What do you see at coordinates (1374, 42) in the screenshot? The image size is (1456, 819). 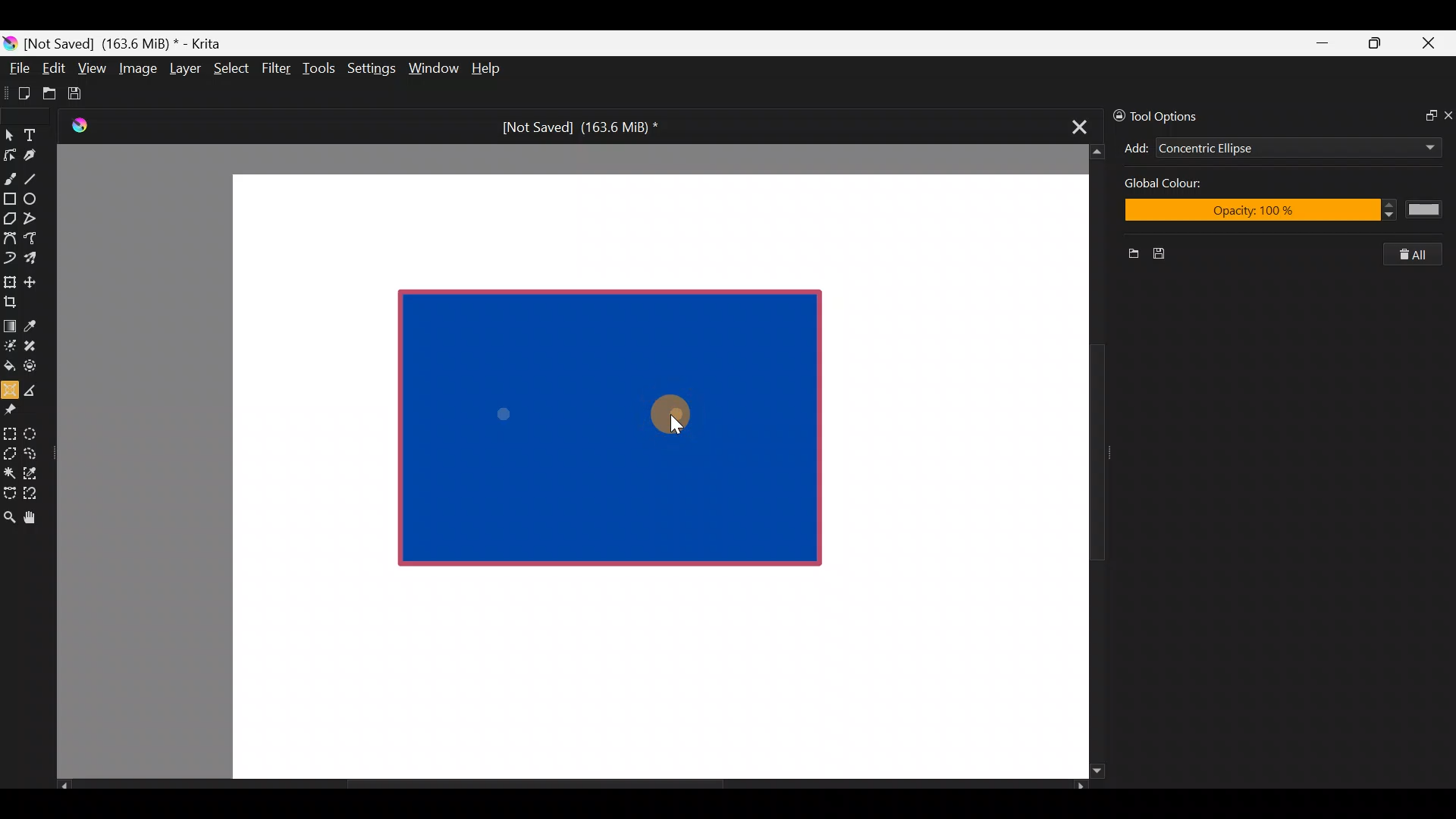 I see `Maximize` at bounding box center [1374, 42].